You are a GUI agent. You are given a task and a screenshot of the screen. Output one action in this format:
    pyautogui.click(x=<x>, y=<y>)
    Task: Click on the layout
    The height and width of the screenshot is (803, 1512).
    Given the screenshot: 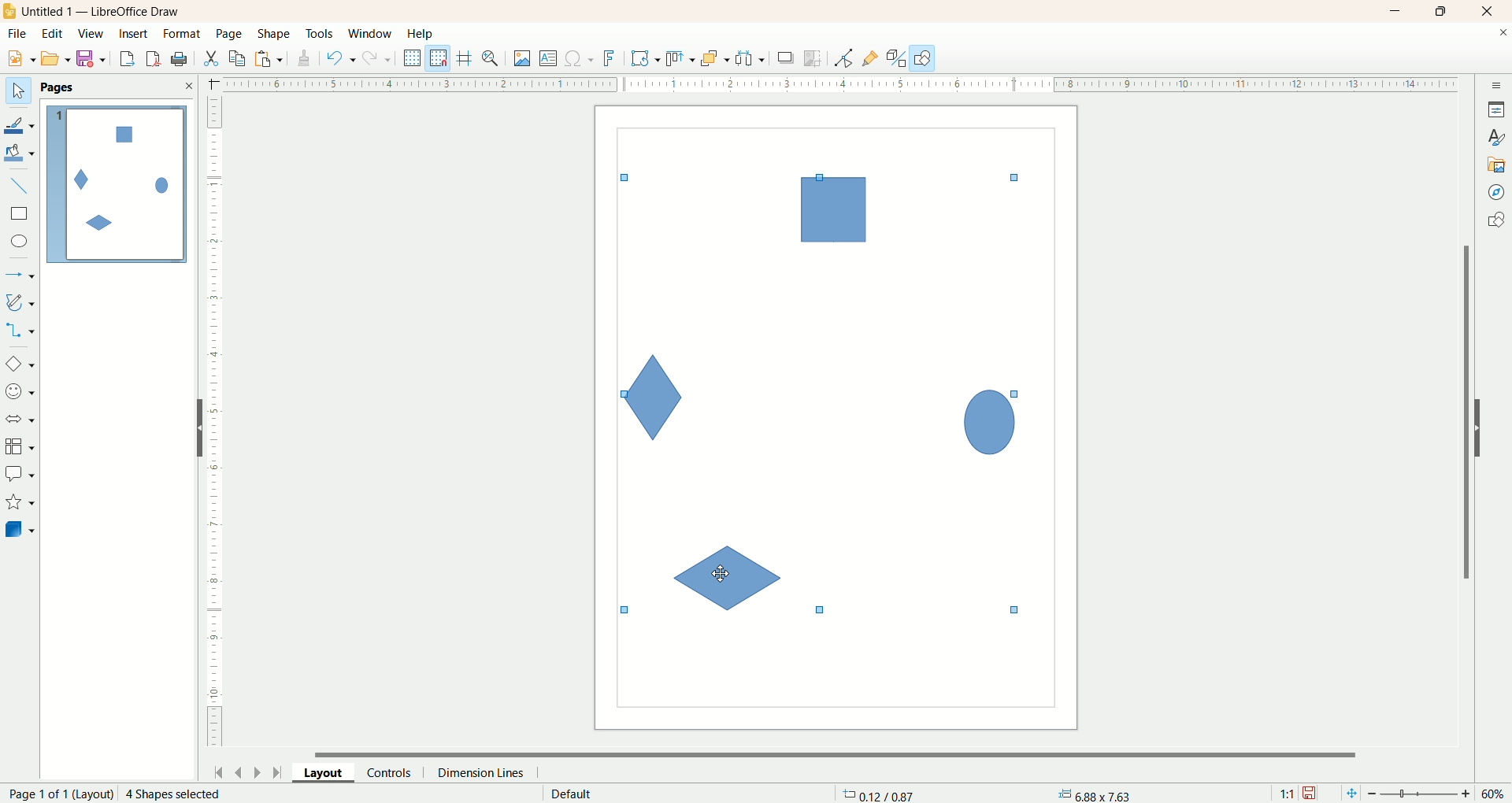 What is the action you would take?
    pyautogui.click(x=330, y=772)
    